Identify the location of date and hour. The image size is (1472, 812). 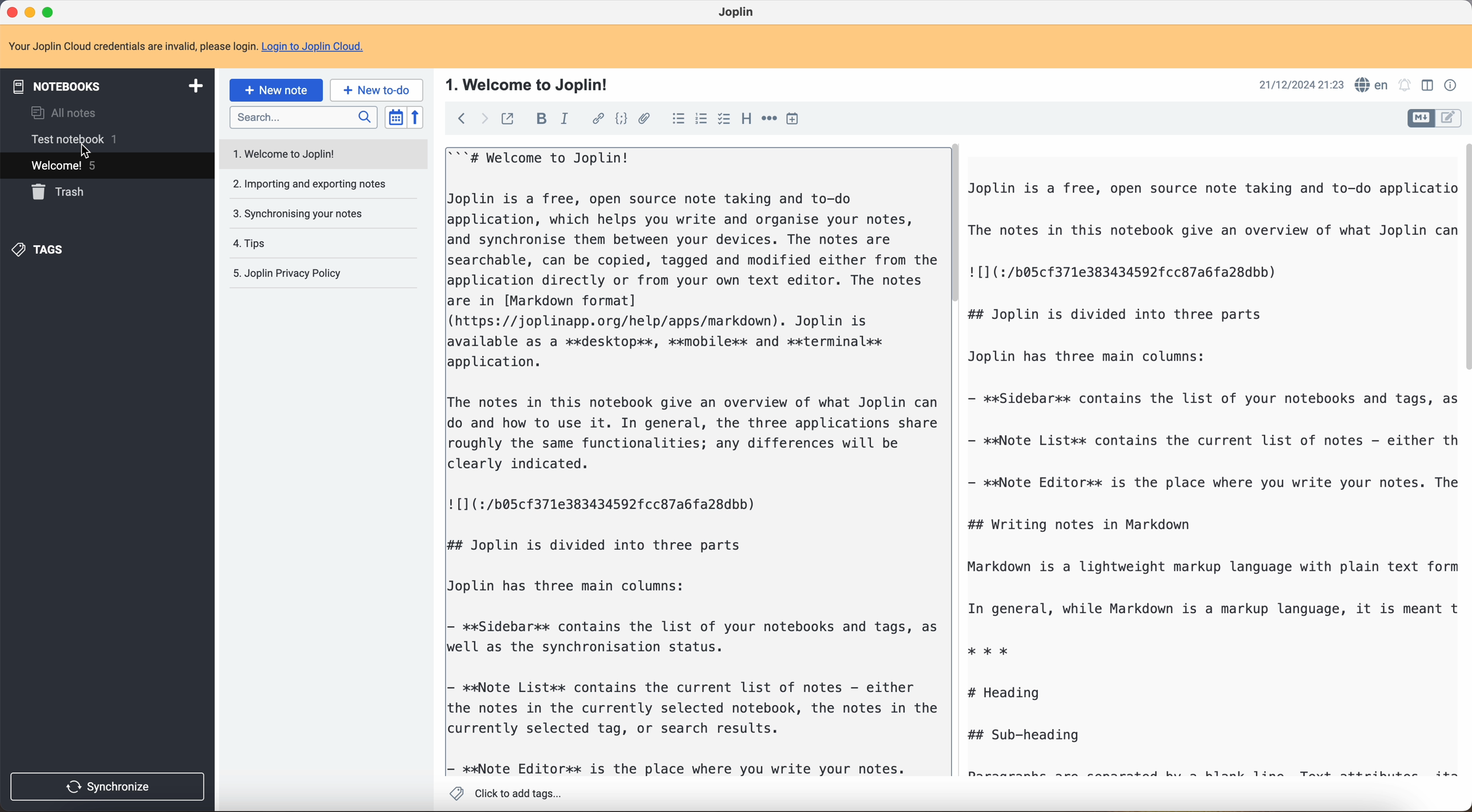
(1299, 85).